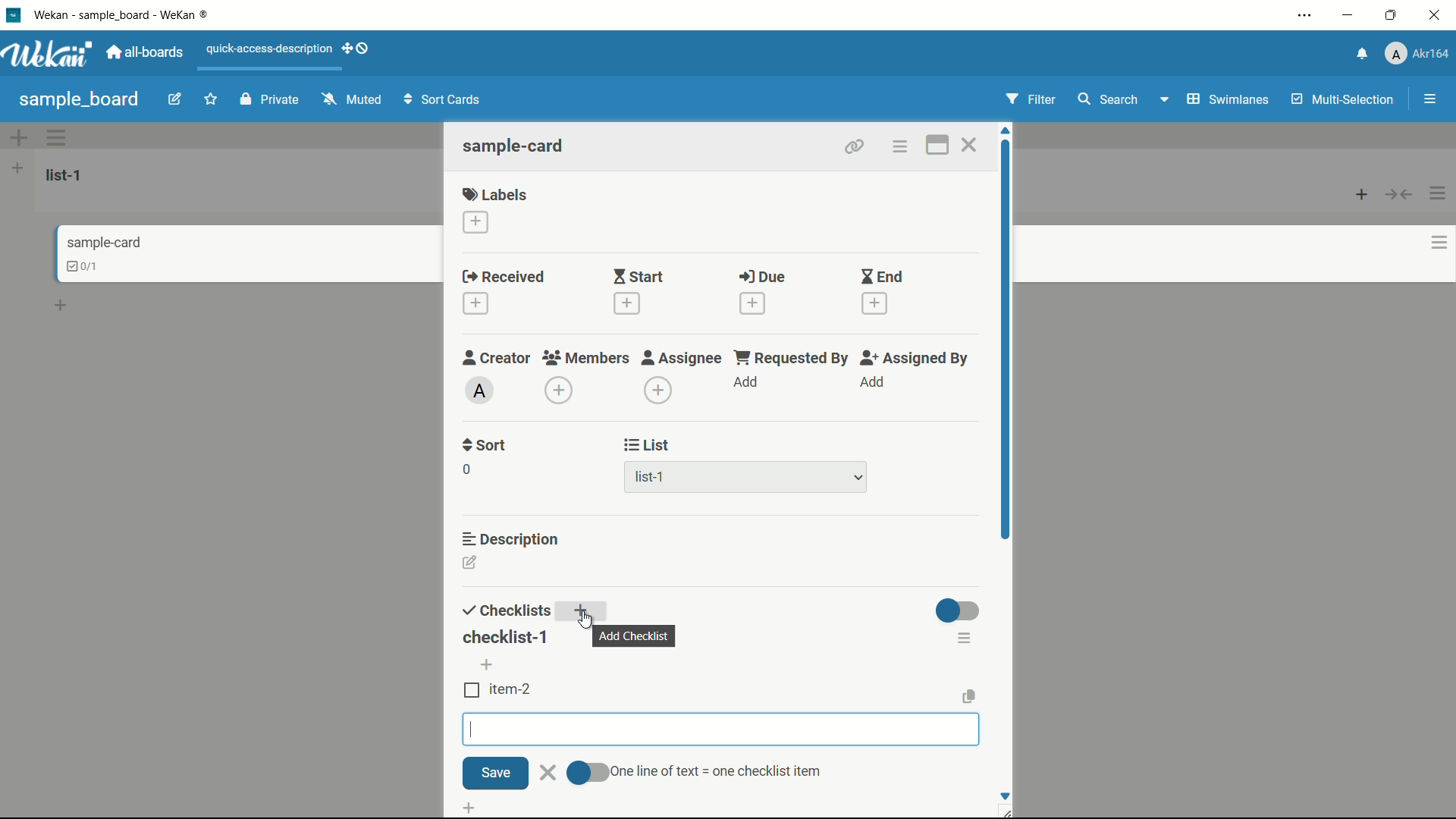 Image resolution: width=1456 pixels, height=819 pixels. What do you see at coordinates (682, 358) in the screenshot?
I see `assignee` at bounding box center [682, 358].